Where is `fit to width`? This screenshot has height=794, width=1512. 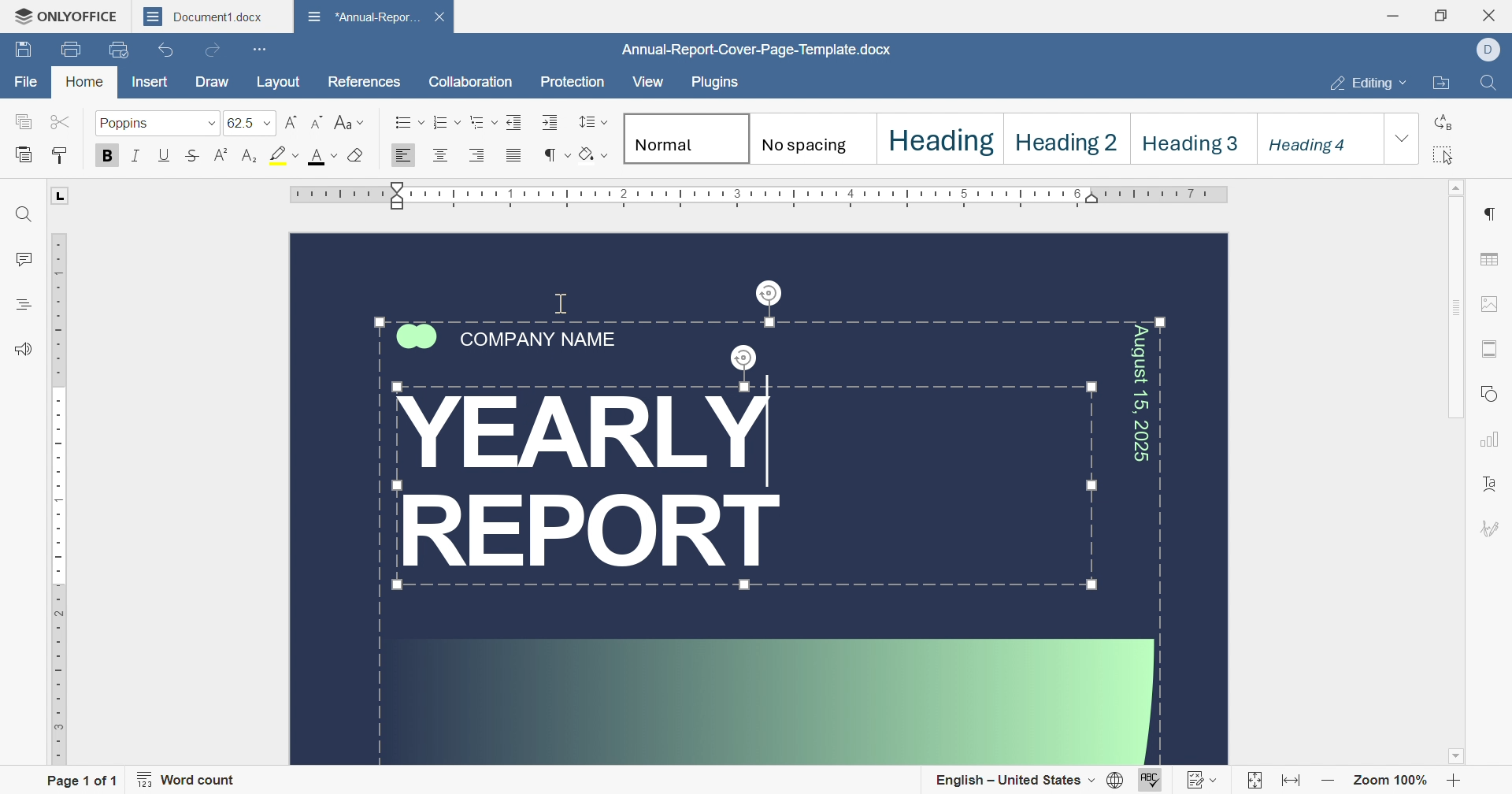
fit to width is located at coordinates (1294, 783).